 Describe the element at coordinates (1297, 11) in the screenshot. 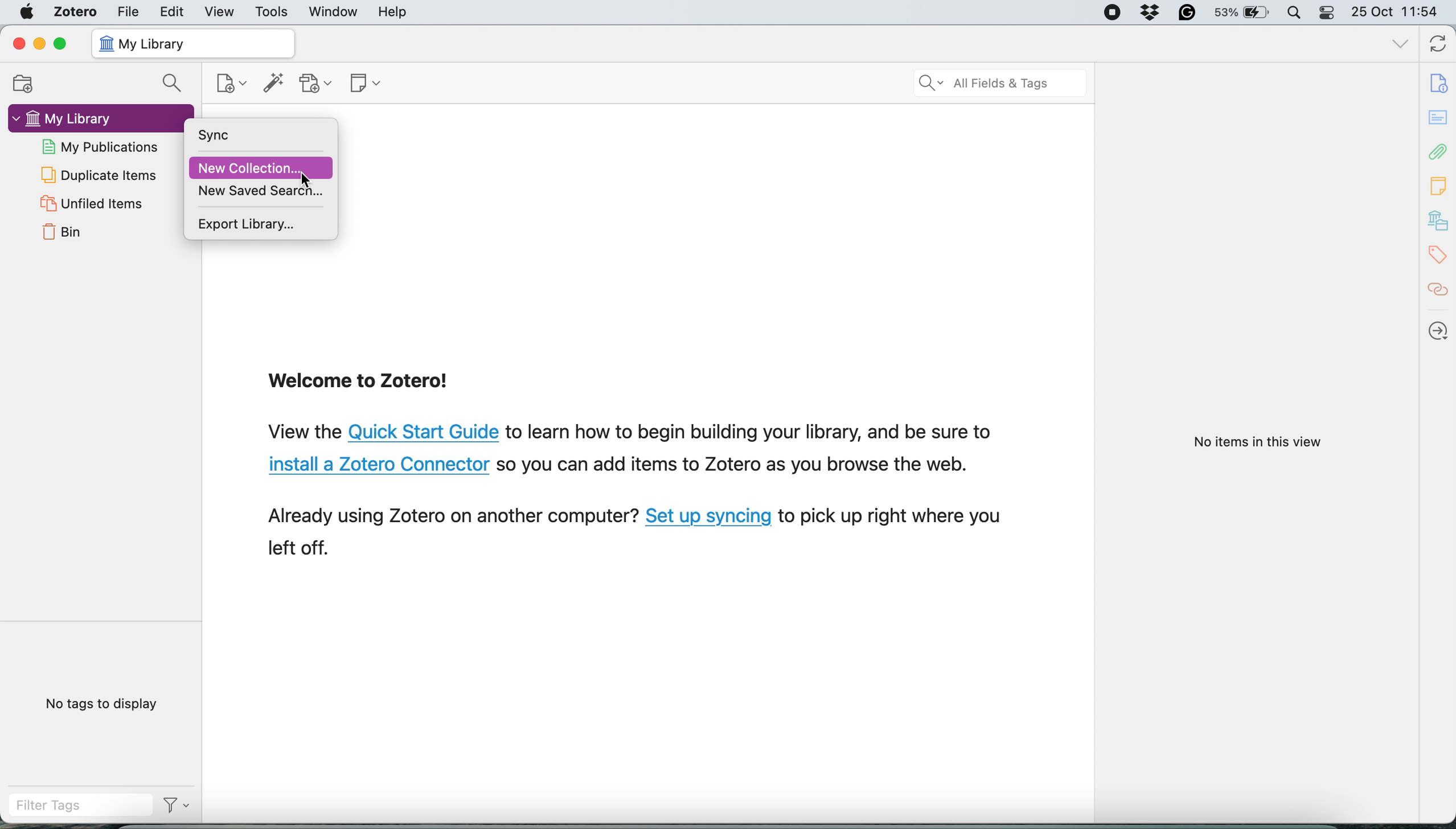

I see `spotlight search` at that location.